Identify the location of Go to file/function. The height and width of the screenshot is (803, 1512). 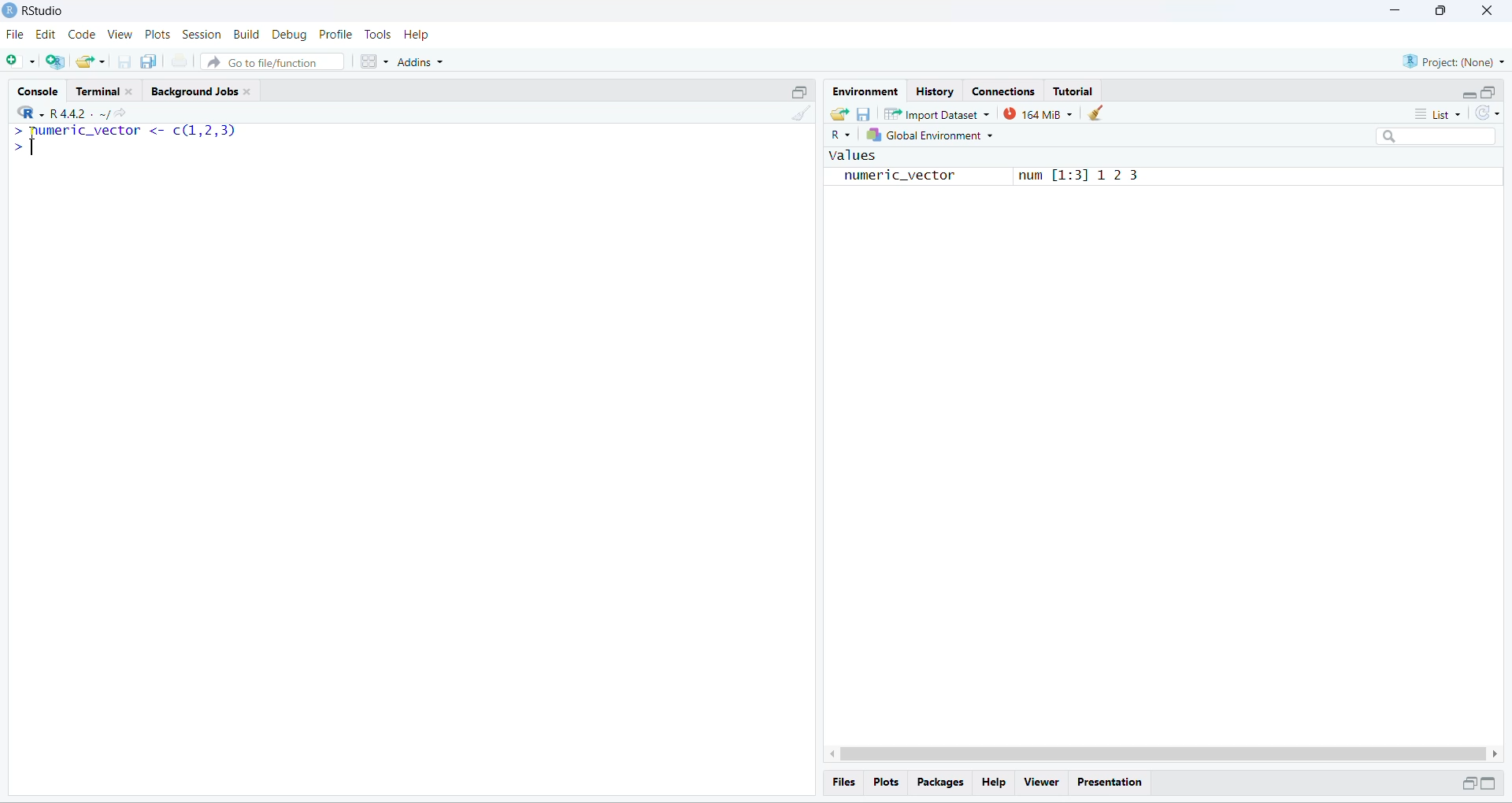
(271, 62).